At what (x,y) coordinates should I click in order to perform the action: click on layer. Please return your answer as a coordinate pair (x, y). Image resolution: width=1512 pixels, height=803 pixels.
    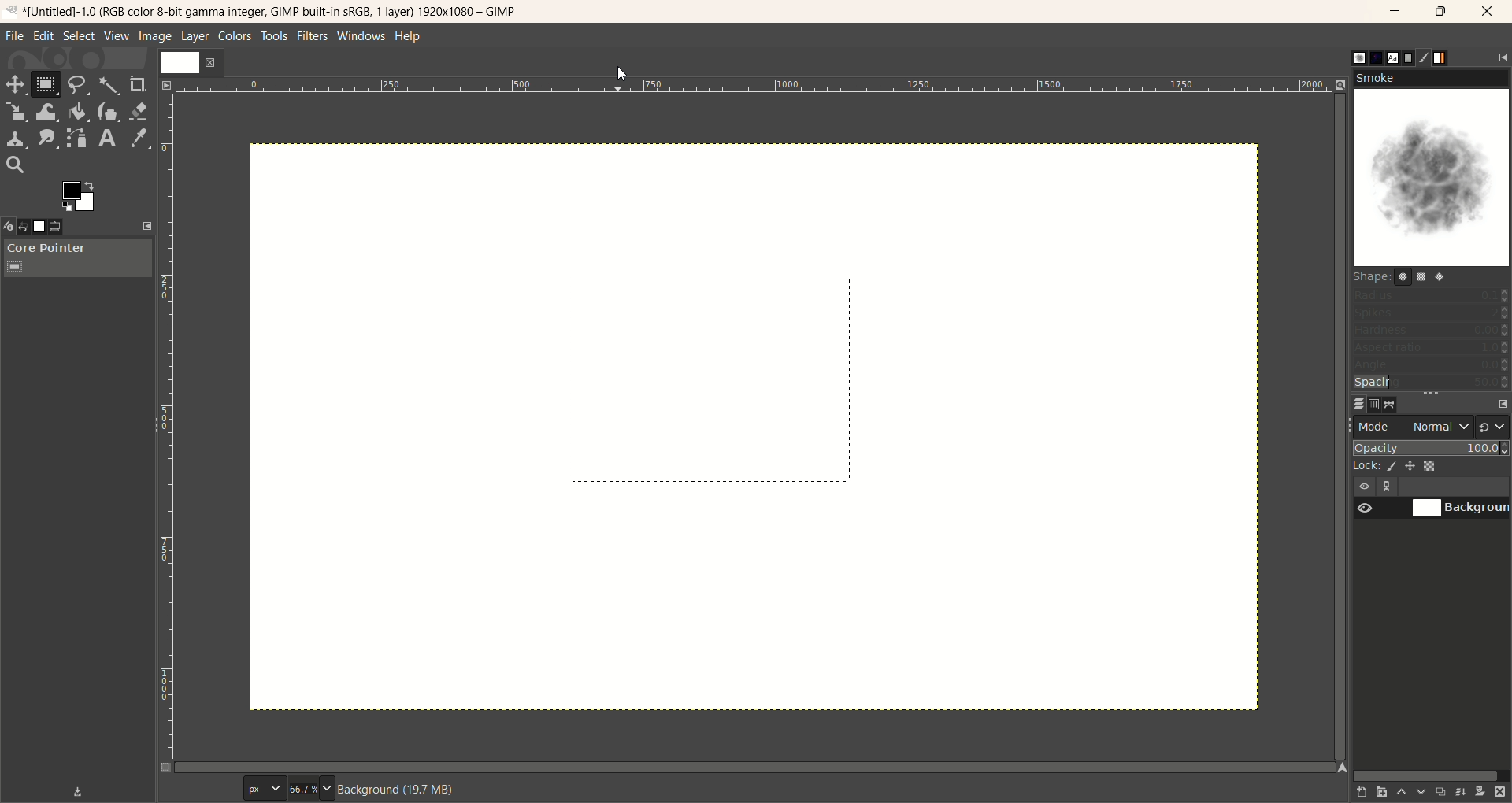
    Looking at the image, I should click on (195, 36).